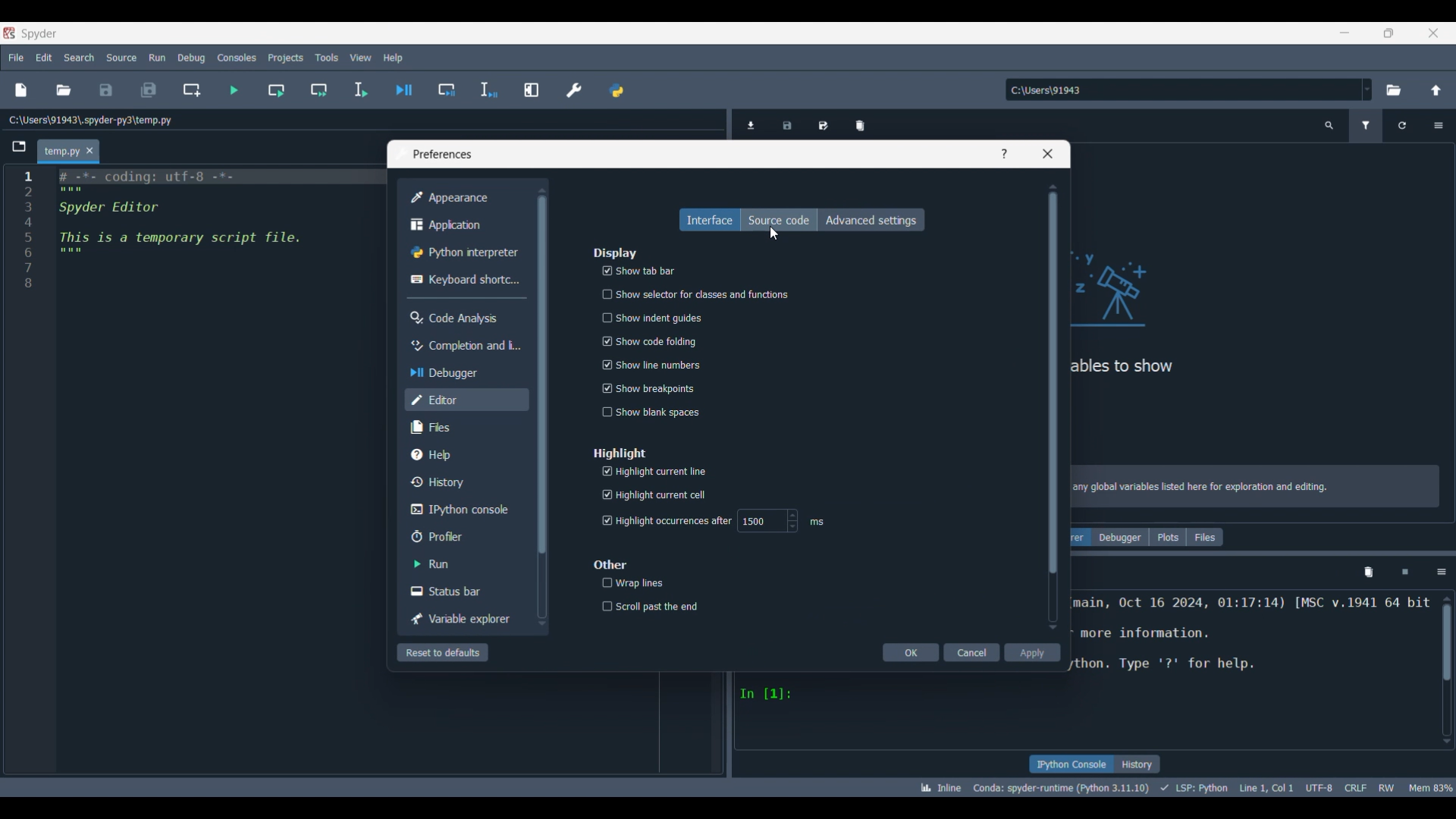  Describe the element at coordinates (21, 90) in the screenshot. I see `New file` at that location.